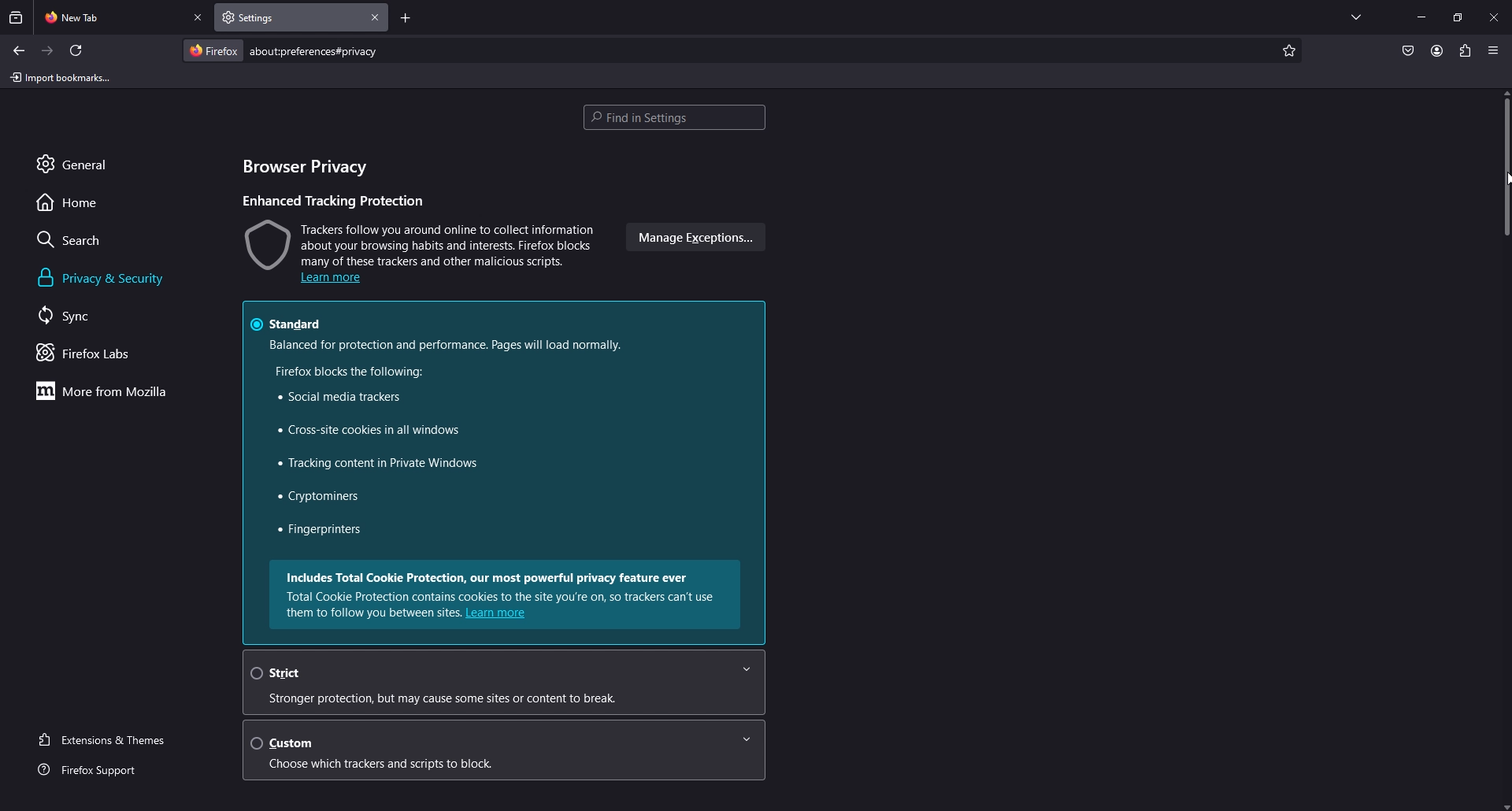  What do you see at coordinates (339, 201) in the screenshot?
I see `enhanced tracking protection` at bounding box center [339, 201].